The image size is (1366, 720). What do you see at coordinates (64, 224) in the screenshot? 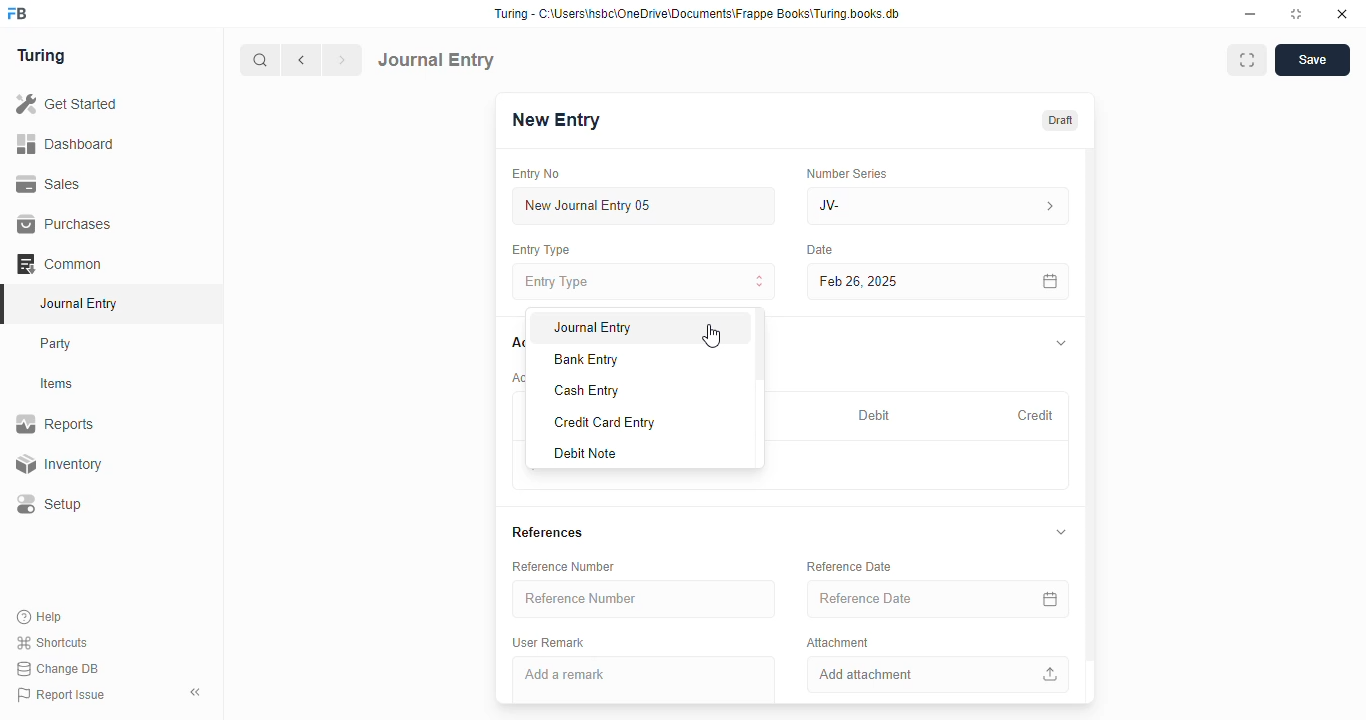
I see `purchases` at bounding box center [64, 224].